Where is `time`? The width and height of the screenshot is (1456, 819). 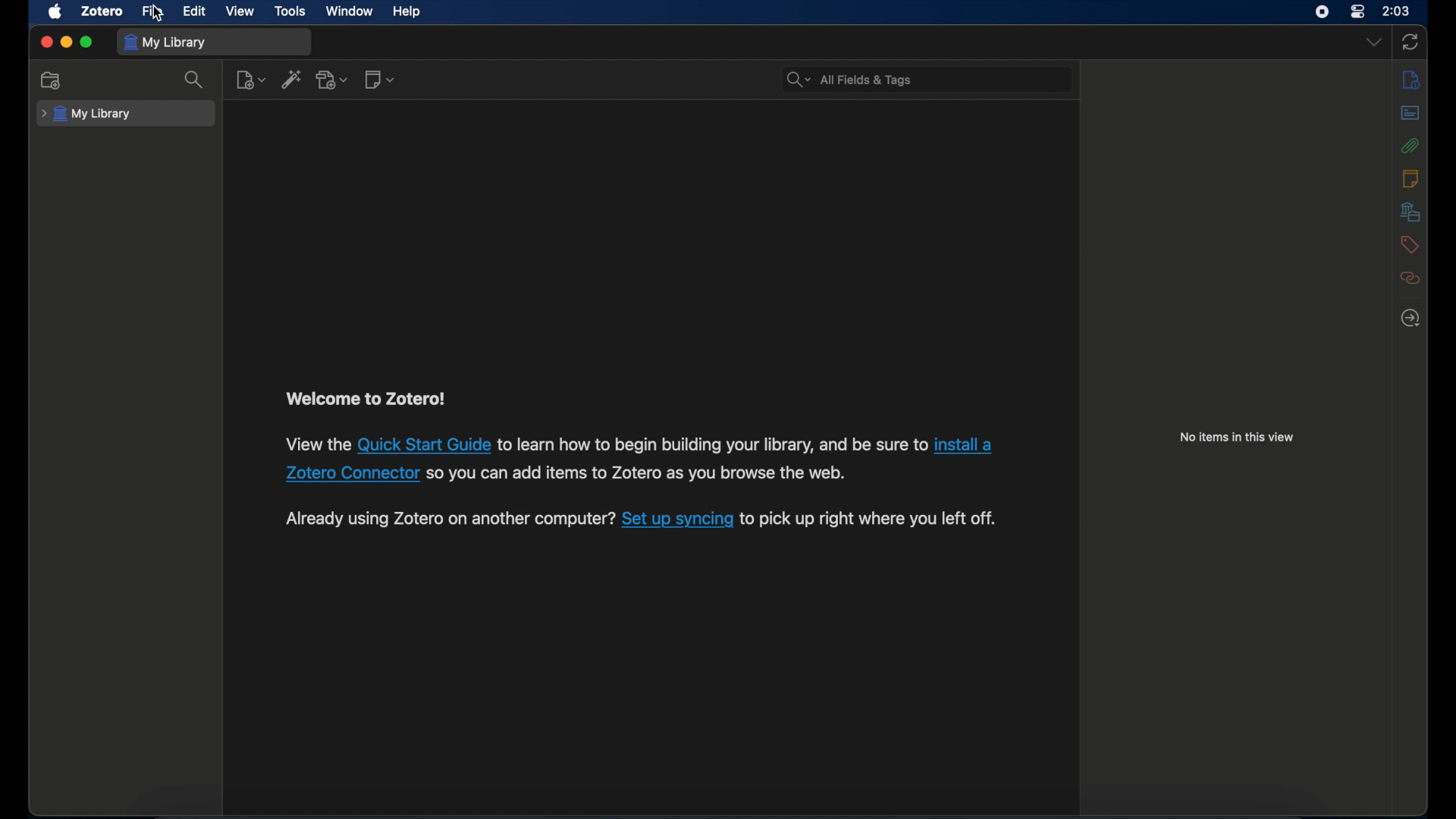
time is located at coordinates (1398, 10).